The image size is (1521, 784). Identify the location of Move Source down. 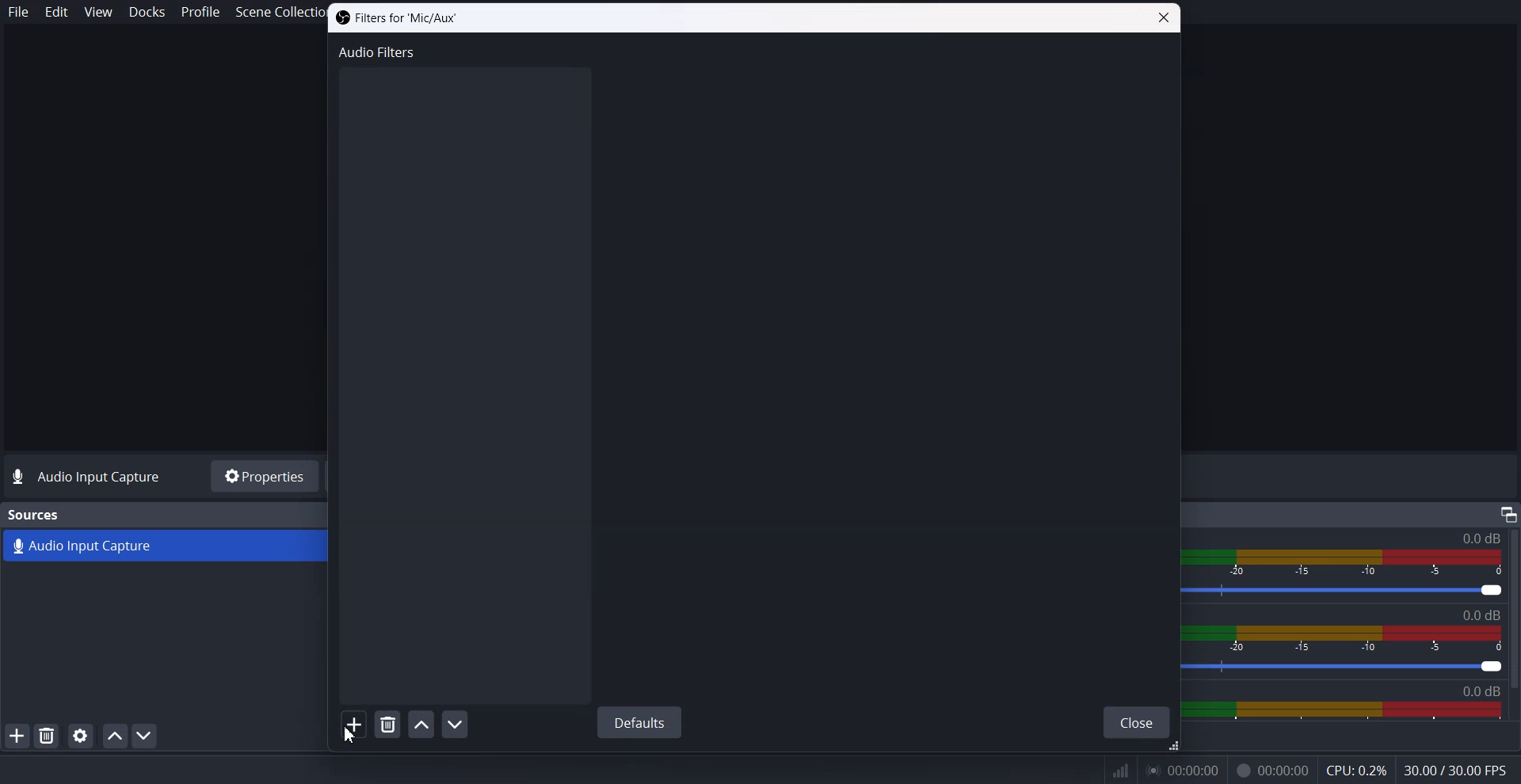
(145, 735).